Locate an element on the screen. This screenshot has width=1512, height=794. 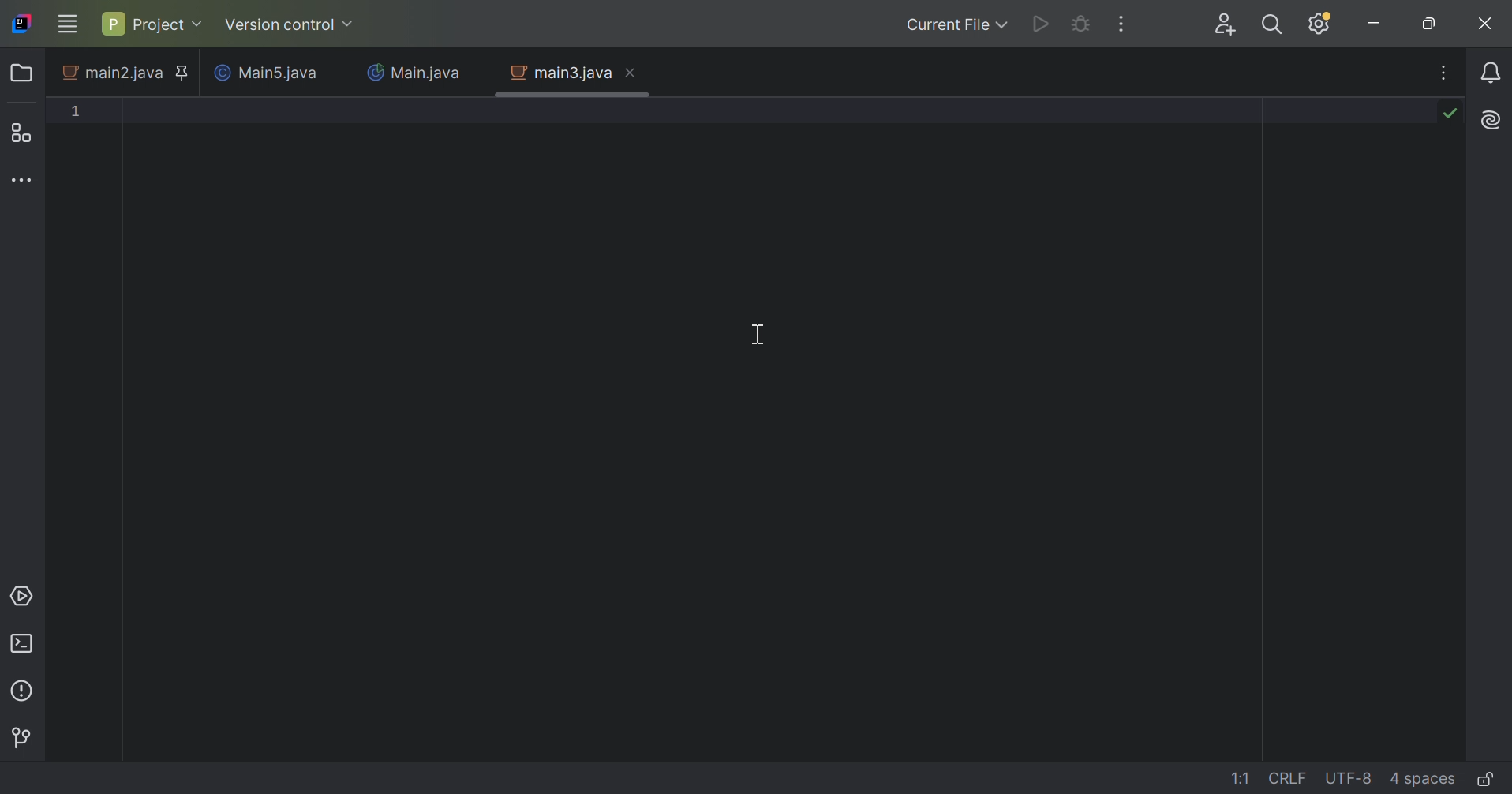
Restore down is located at coordinates (1429, 23).